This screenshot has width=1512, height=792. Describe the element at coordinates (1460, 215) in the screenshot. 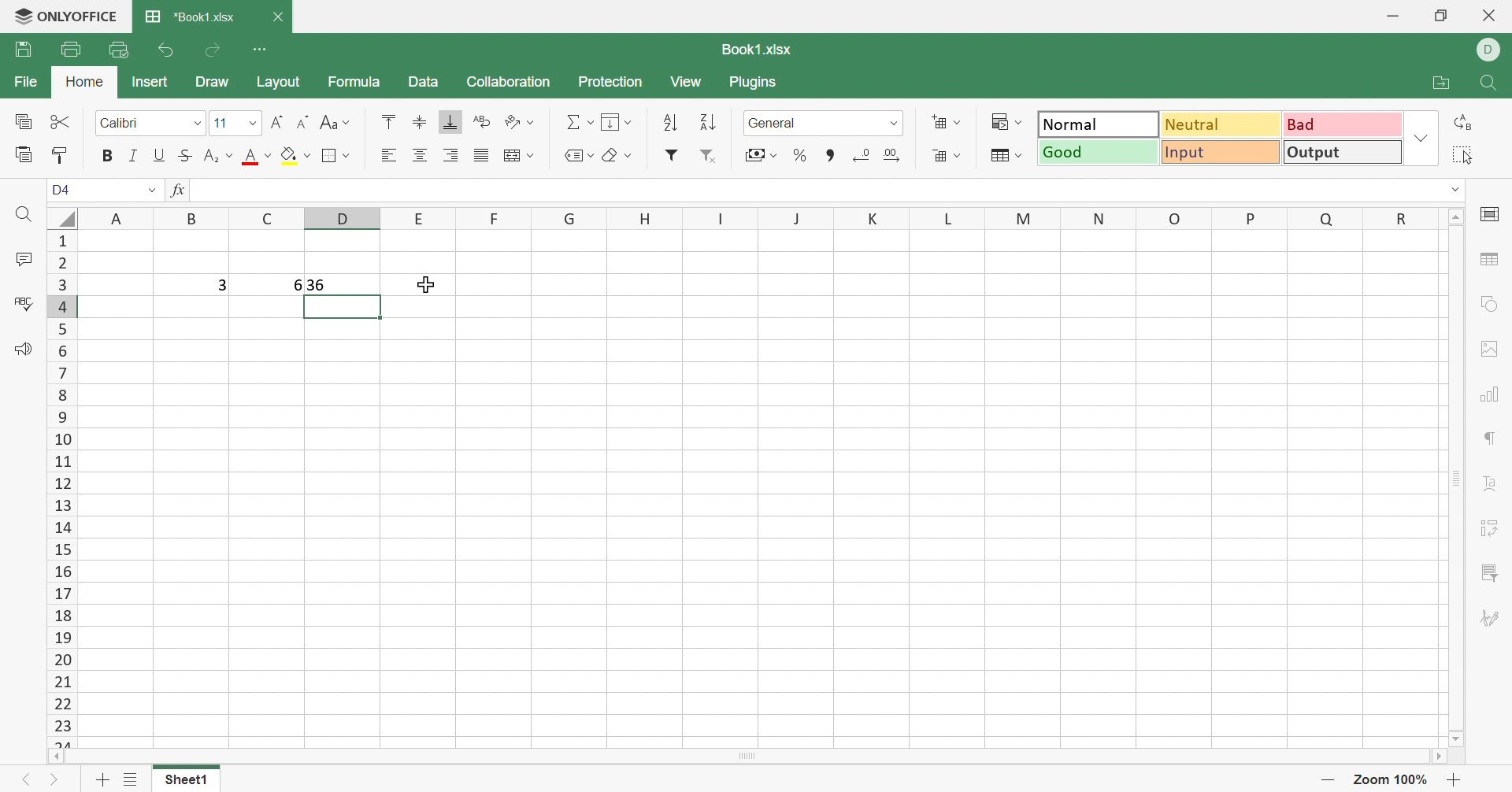

I see `Scroll up` at that location.